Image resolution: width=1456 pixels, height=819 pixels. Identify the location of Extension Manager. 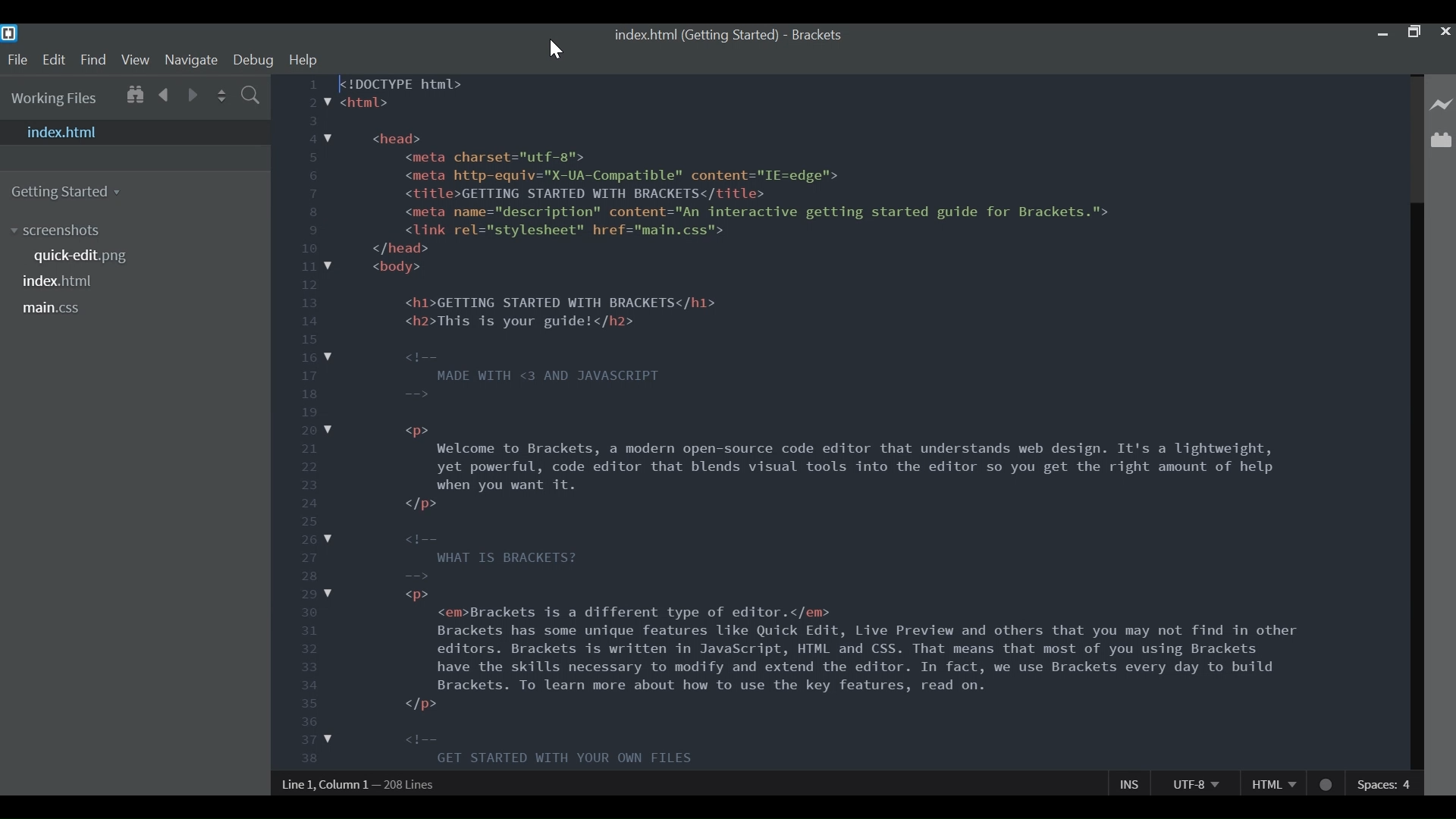
(1442, 139).